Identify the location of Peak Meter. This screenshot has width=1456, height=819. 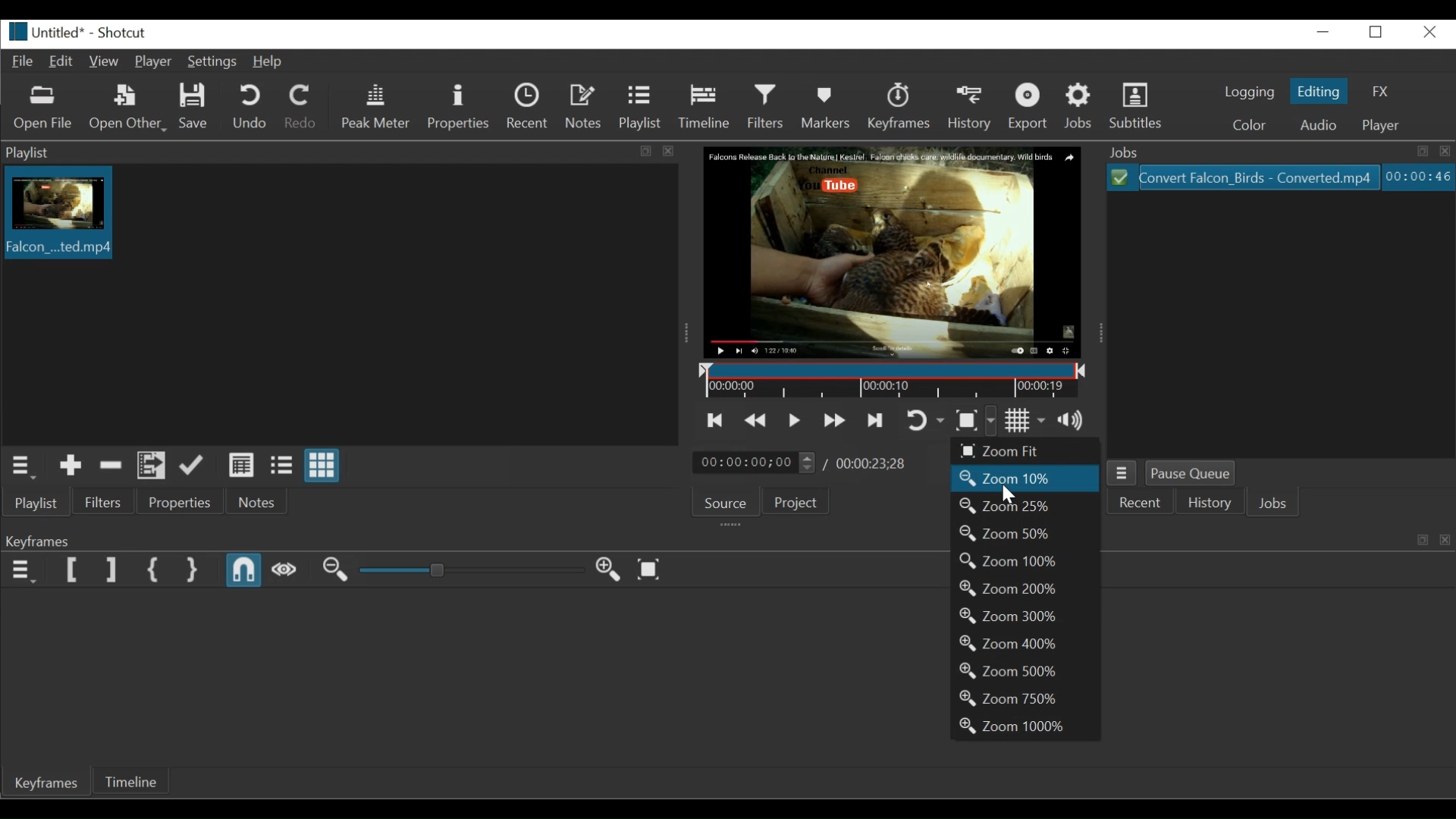
(375, 107).